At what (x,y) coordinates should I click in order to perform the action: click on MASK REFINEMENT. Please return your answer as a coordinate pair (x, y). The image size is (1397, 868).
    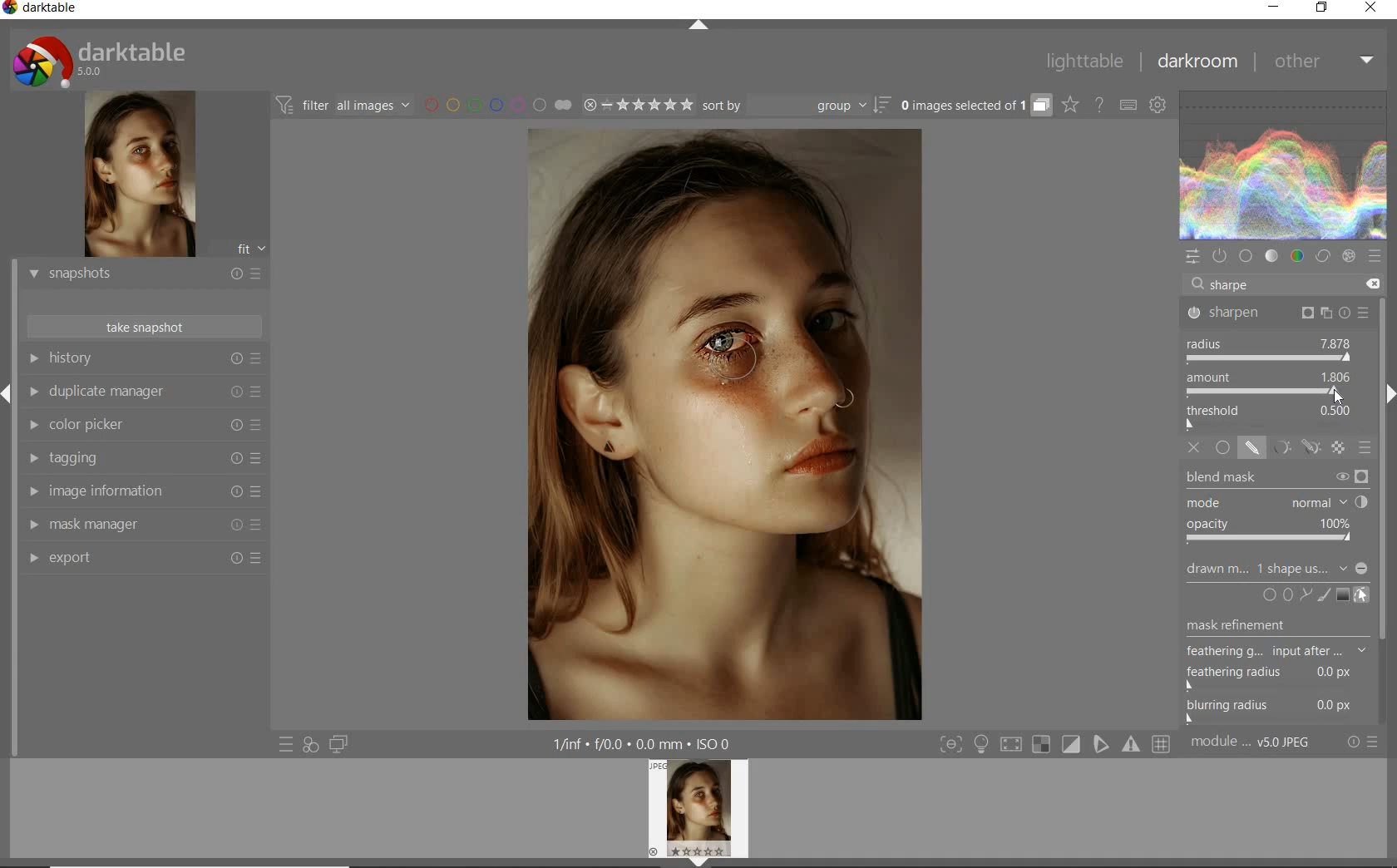
    Looking at the image, I should click on (1273, 625).